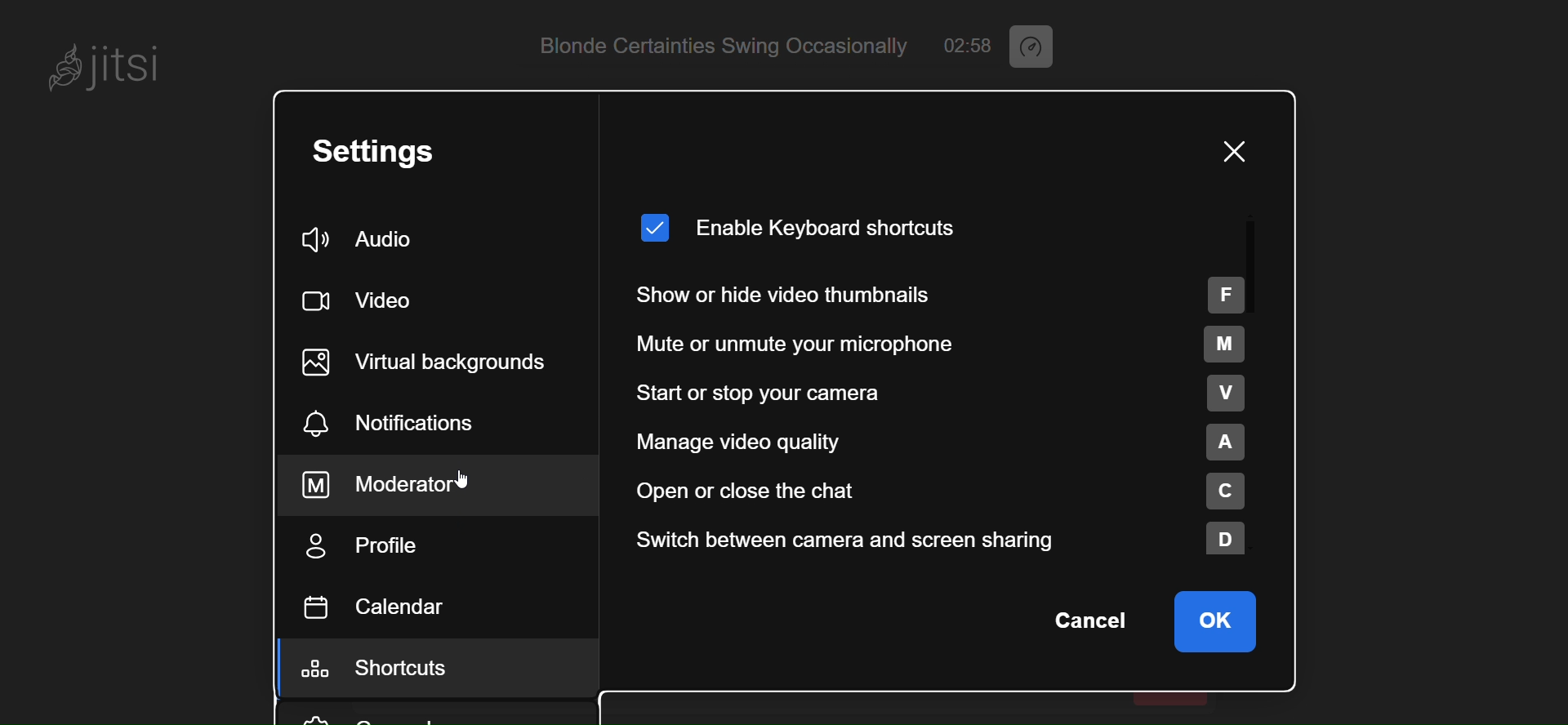  I want to click on audio, so click(366, 241).